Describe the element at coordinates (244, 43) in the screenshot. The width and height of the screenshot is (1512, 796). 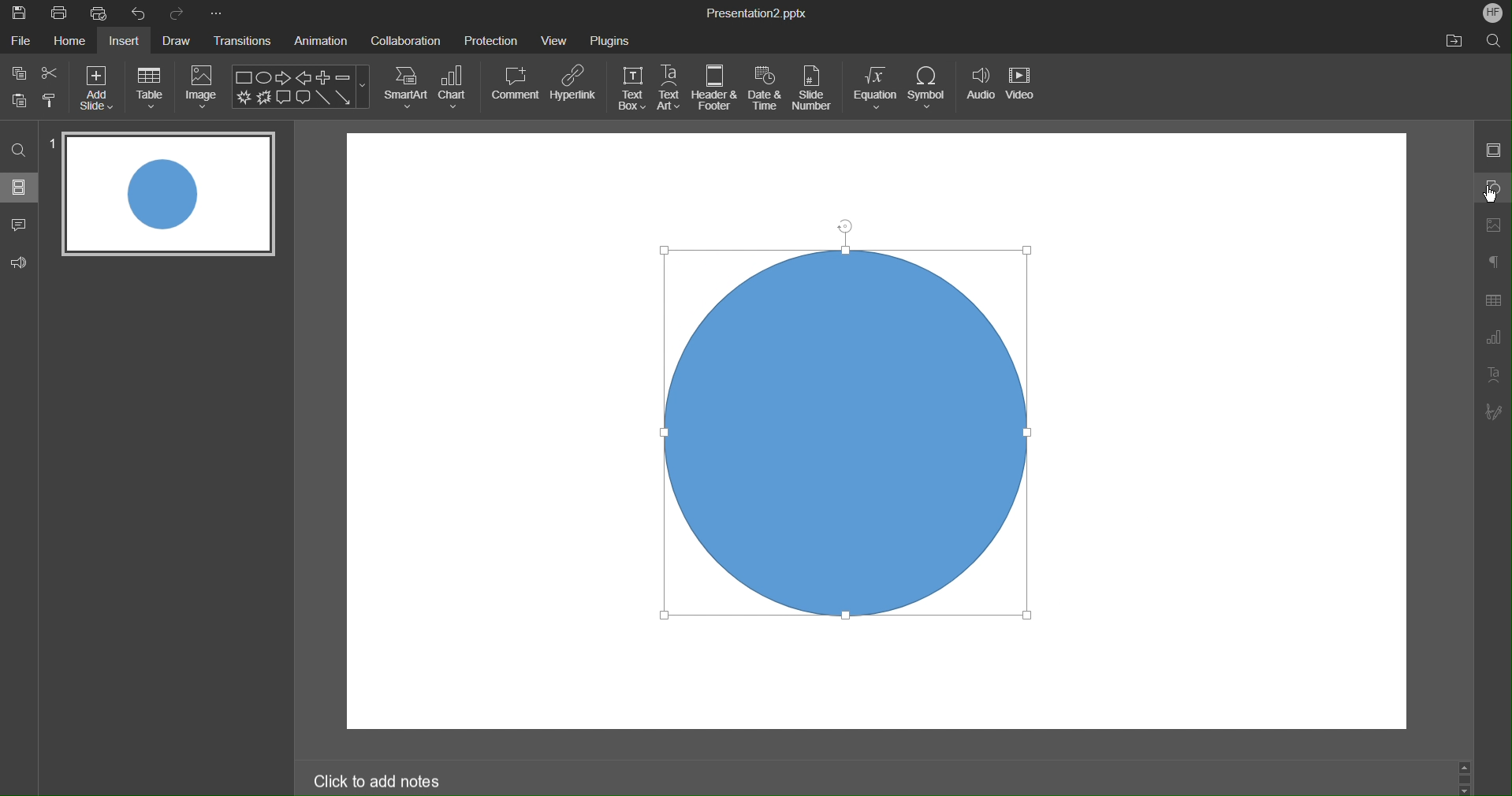
I see `Transitions` at that location.